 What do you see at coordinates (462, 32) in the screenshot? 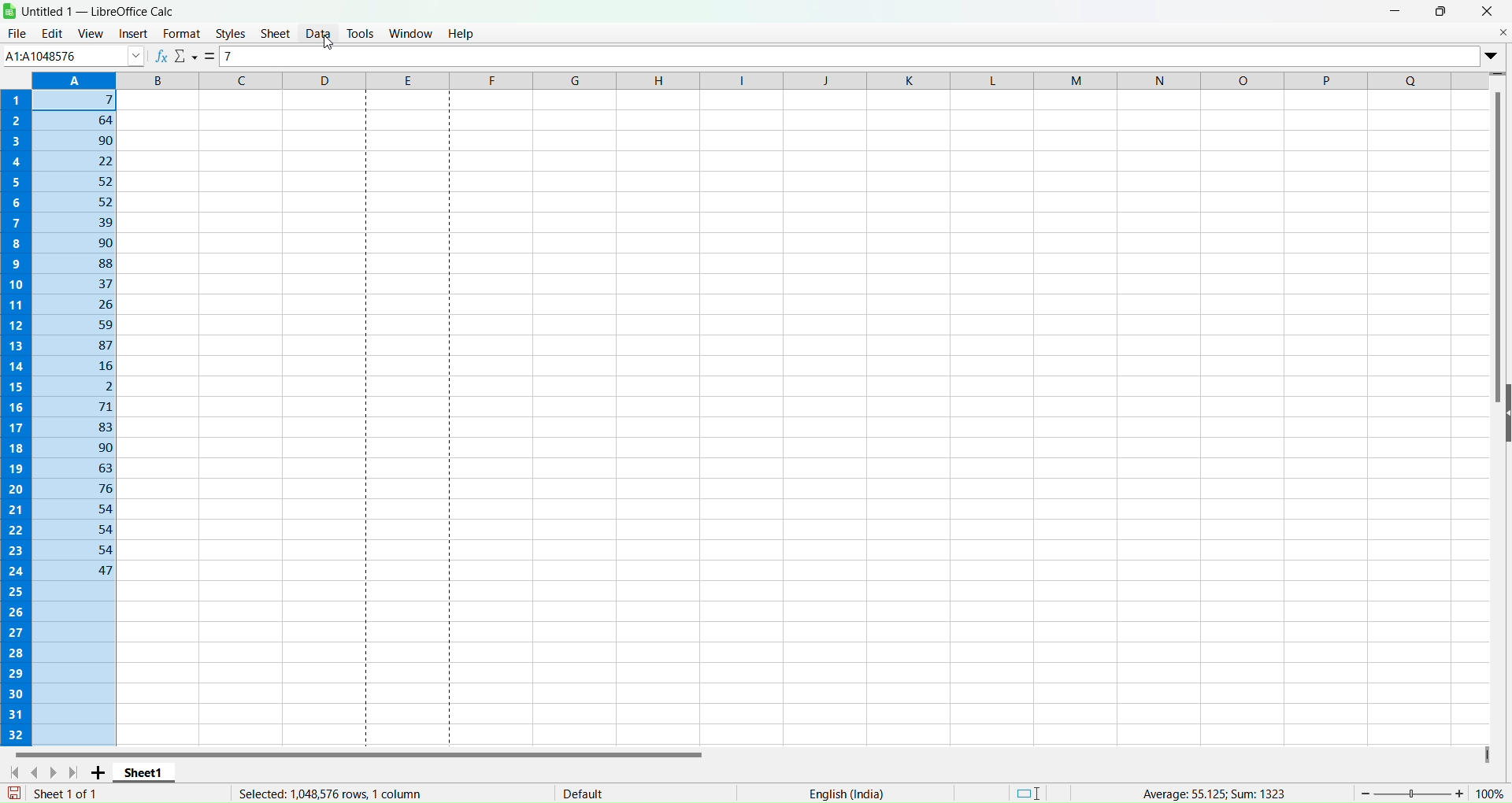
I see `Help` at bounding box center [462, 32].